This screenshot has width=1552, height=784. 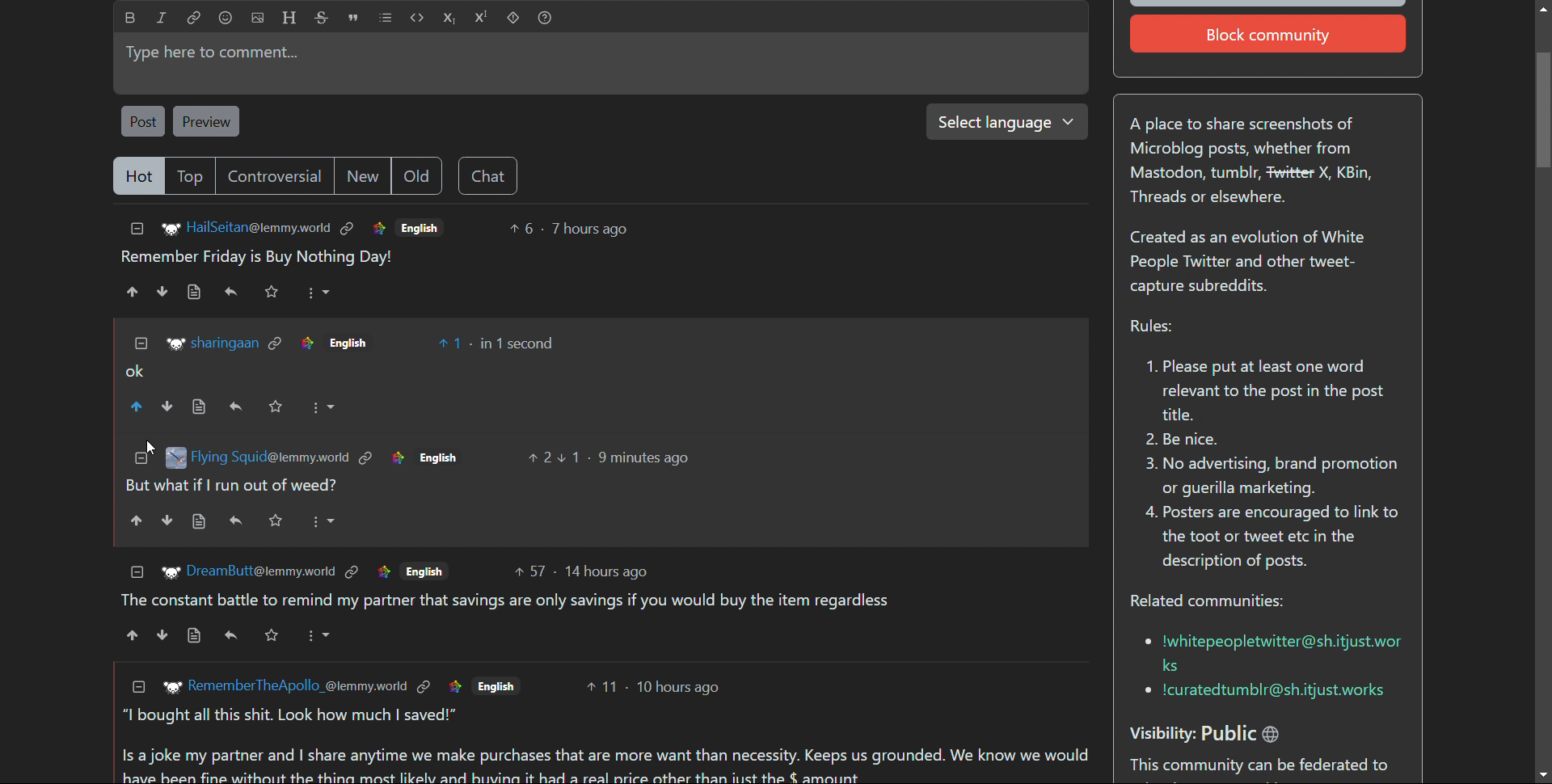 I want to click on ok, so click(x=136, y=369).